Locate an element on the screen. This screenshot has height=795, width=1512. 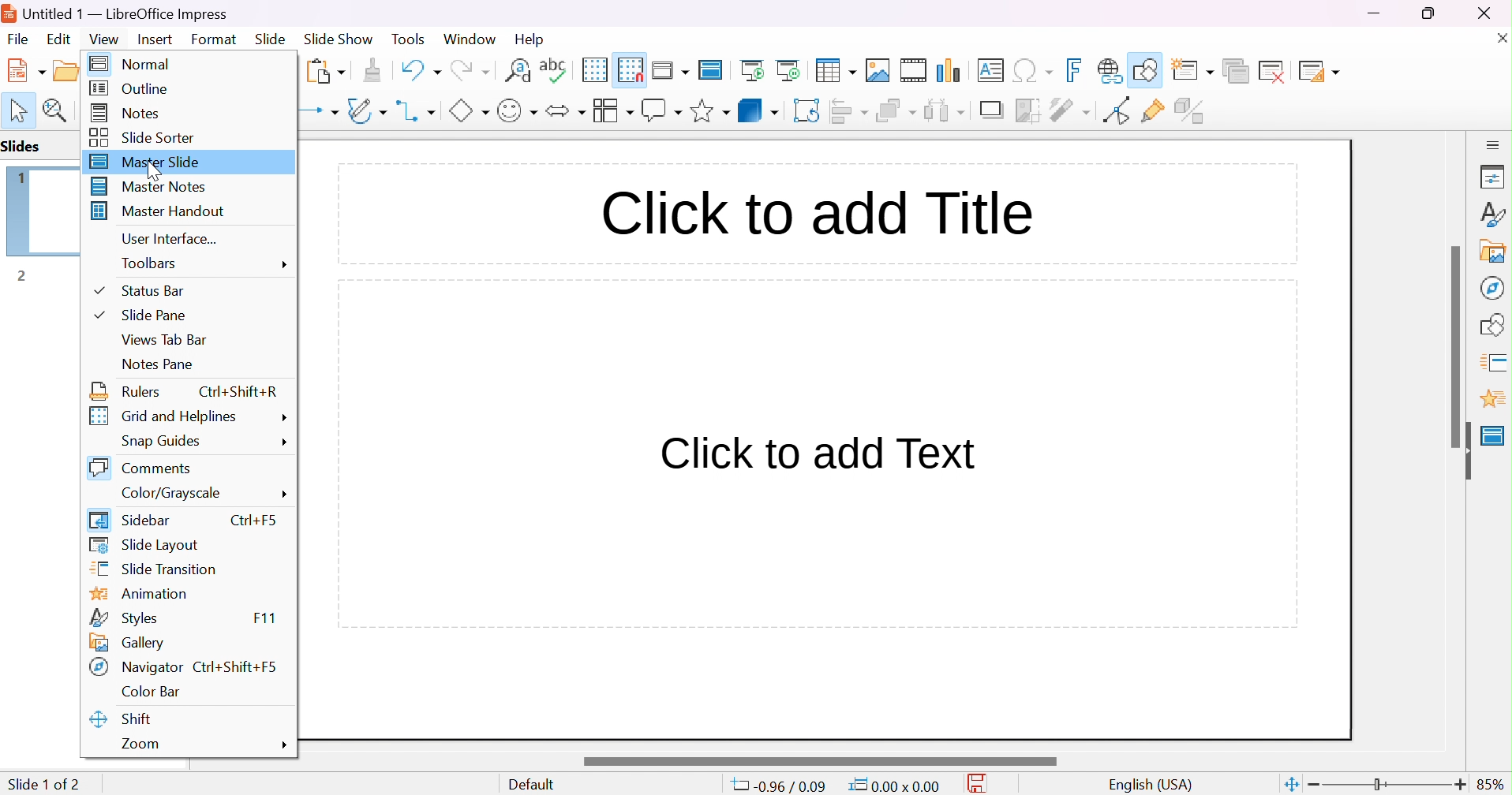
navigator is located at coordinates (137, 667).